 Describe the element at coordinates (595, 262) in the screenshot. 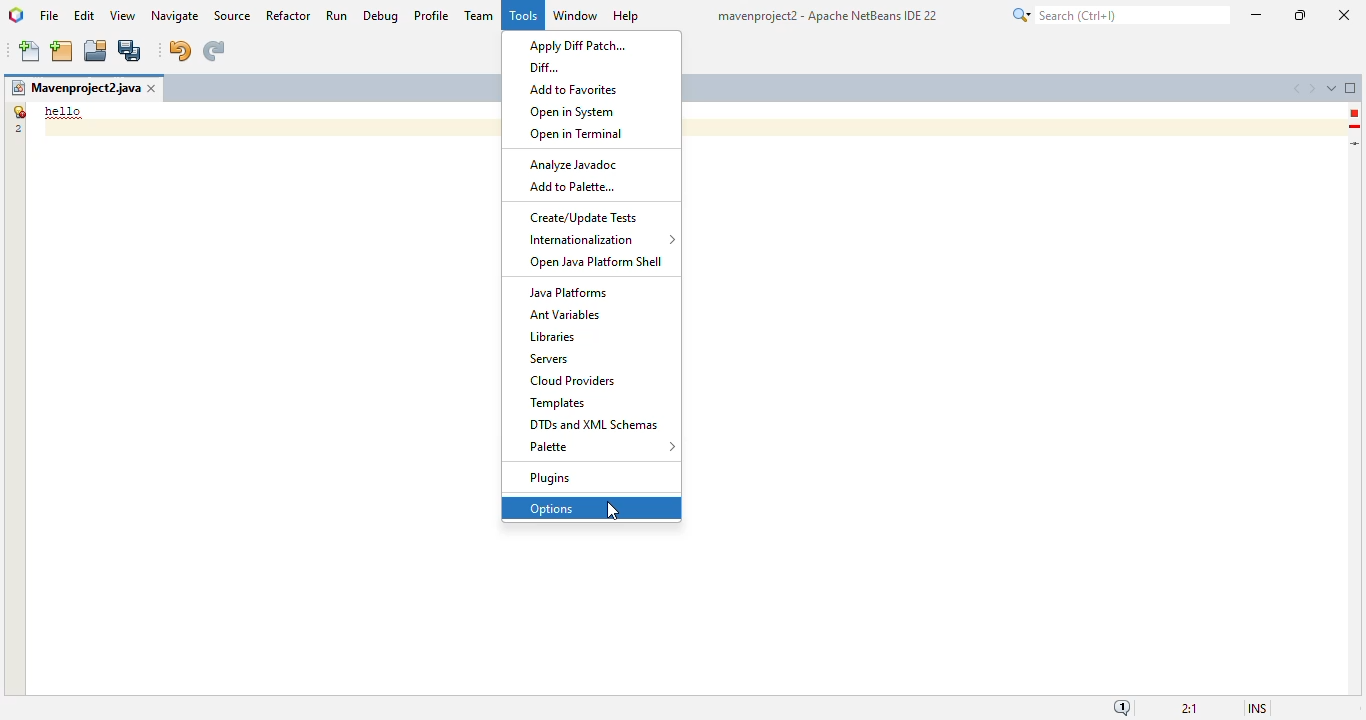

I see `open java platform shell` at that location.